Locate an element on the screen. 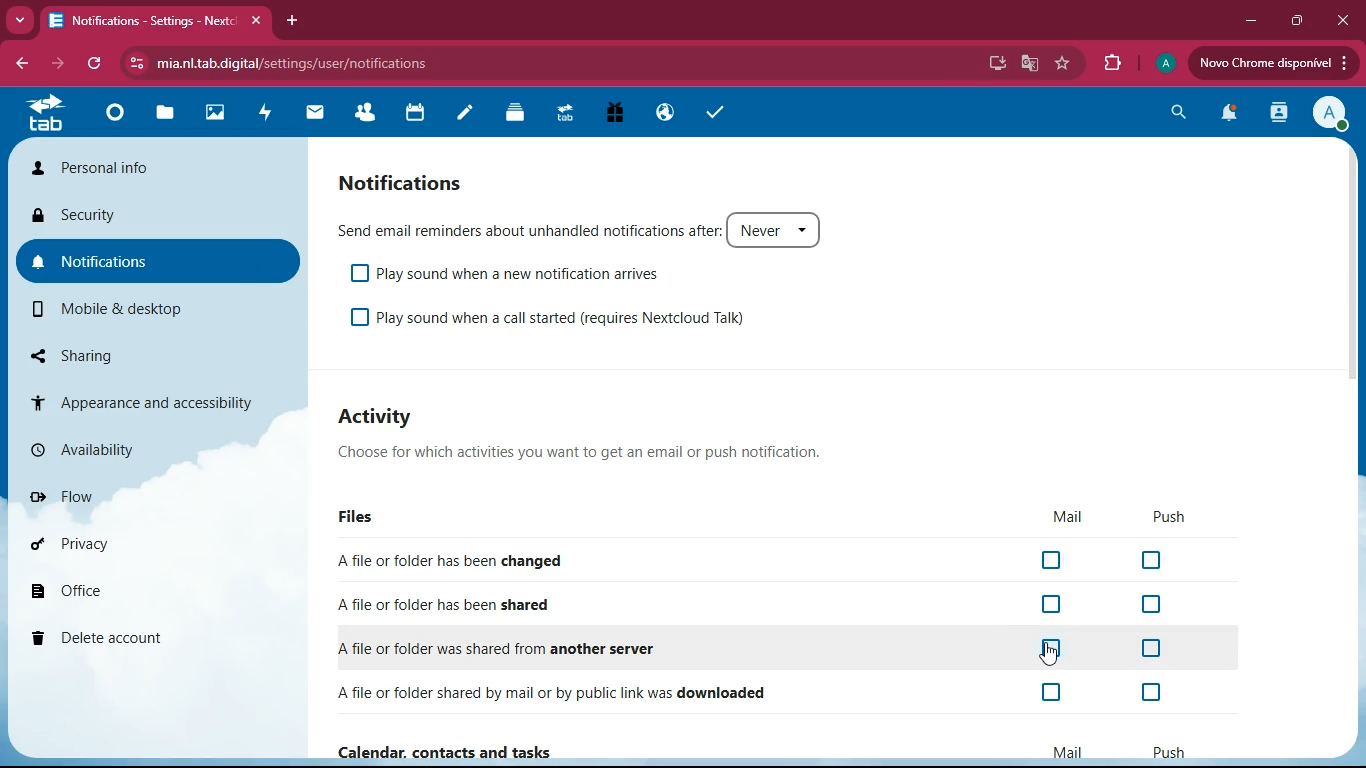 Image resolution: width=1366 pixels, height=768 pixels. notes is located at coordinates (458, 115).